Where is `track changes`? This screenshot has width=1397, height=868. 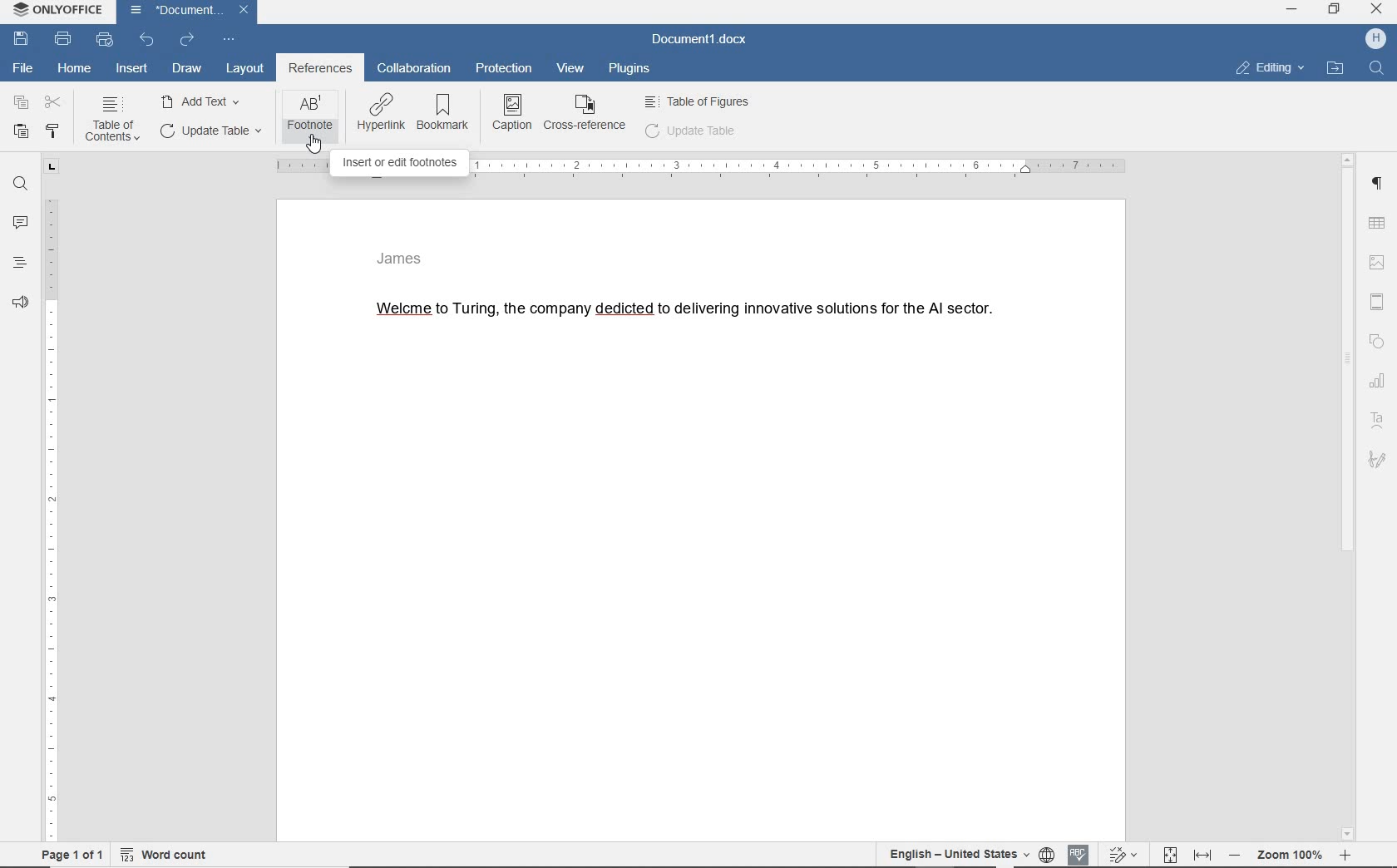 track changes is located at coordinates (1123, 854).